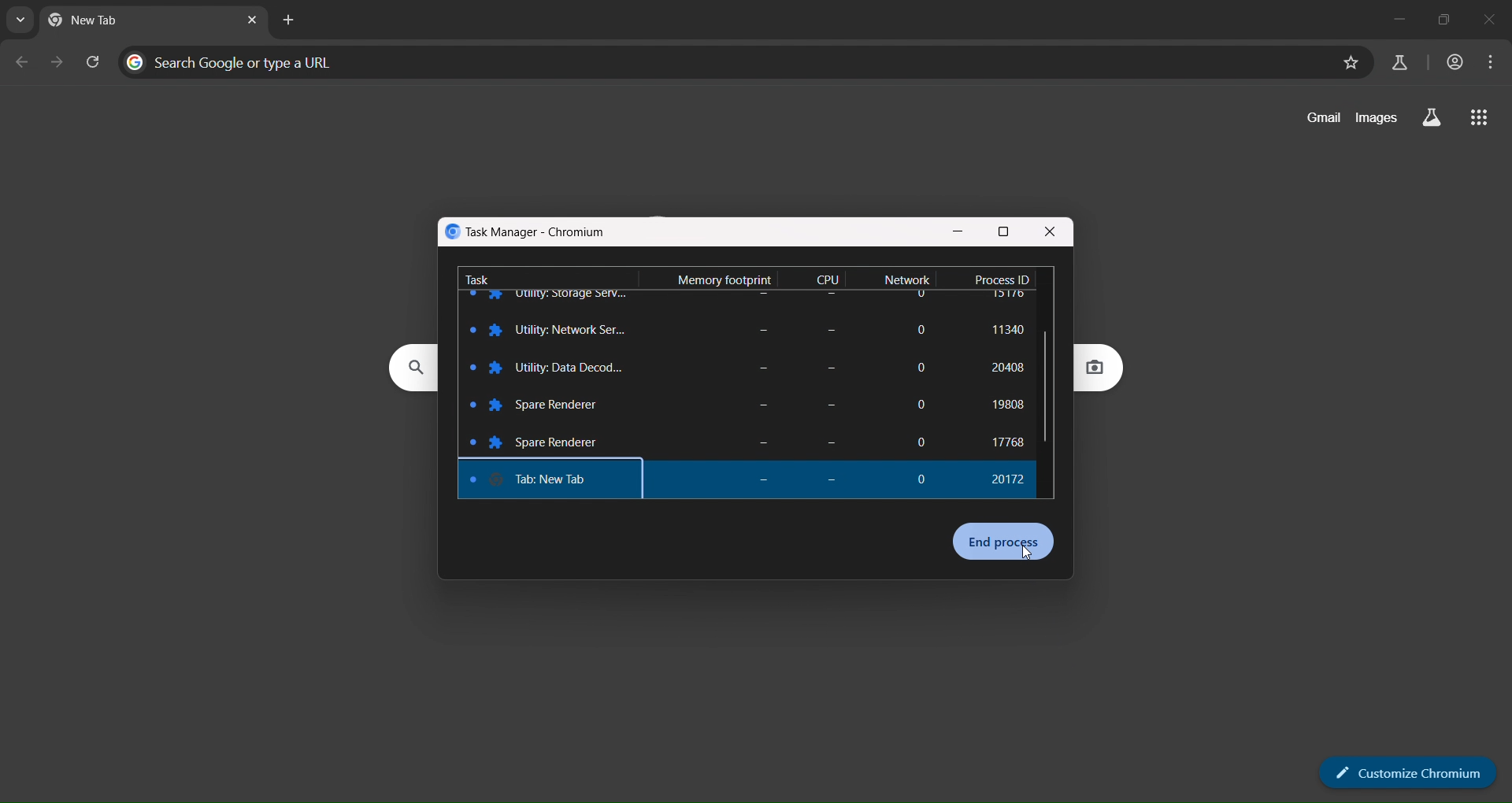 This screenshot has width=1512, height=803. I want to click on Network, so click(909, 280).